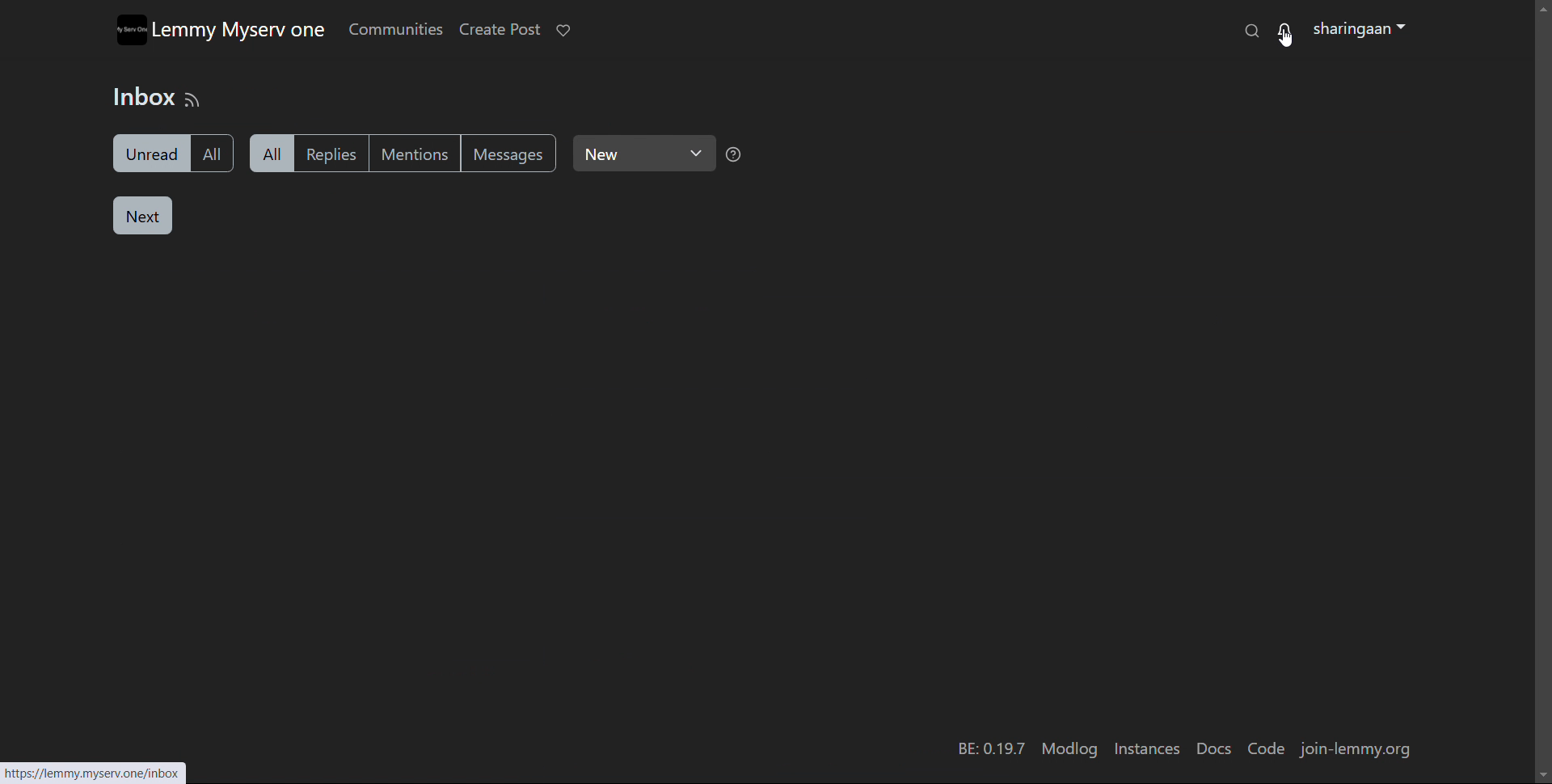  What do you see at coordinates (394, 28) in the screenshot?
I see `communities` at bounding box center [394, 28].